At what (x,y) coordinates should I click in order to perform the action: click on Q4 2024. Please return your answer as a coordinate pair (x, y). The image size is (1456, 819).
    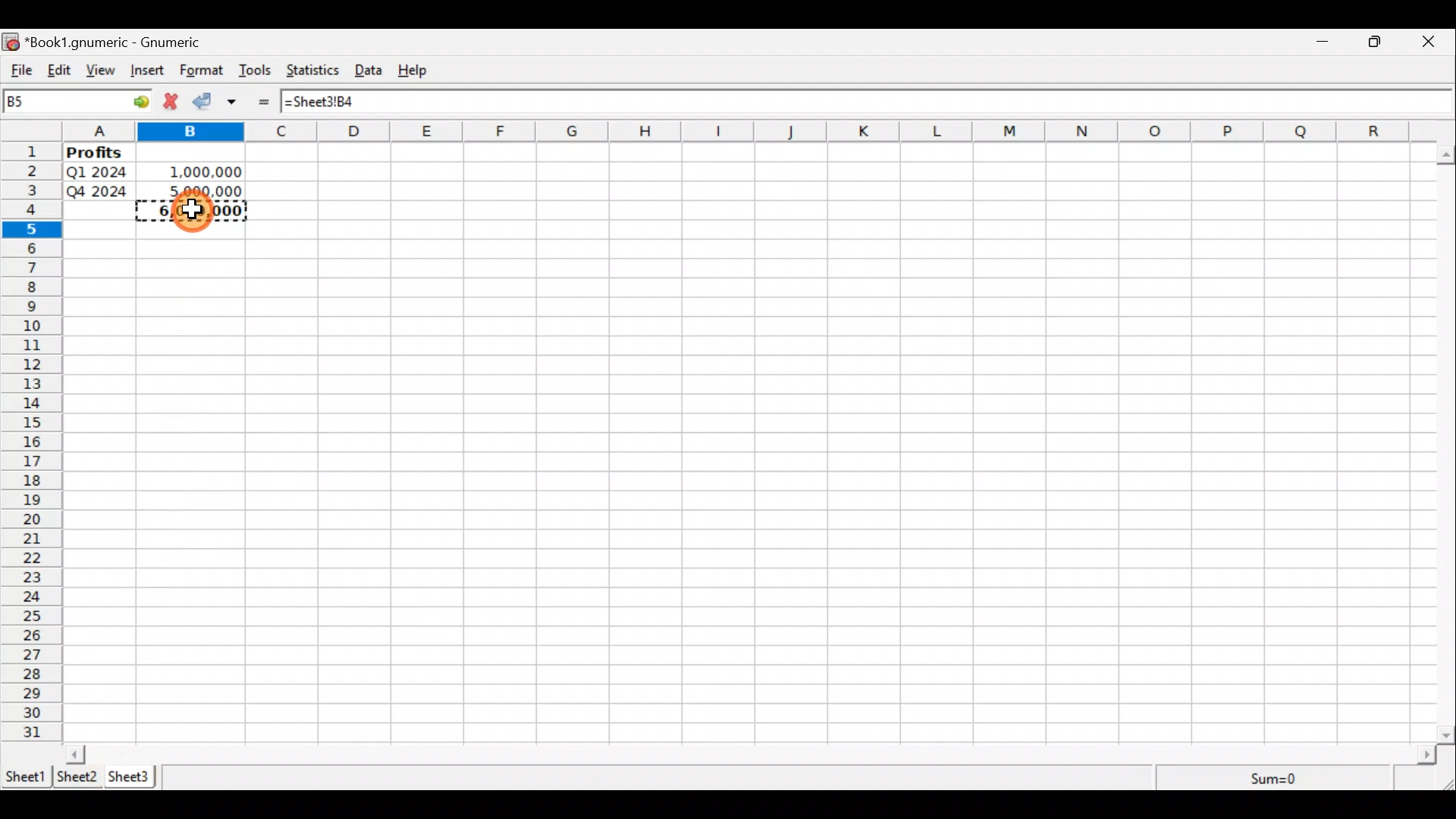
    Looking at the image, I should click on (99, 191).